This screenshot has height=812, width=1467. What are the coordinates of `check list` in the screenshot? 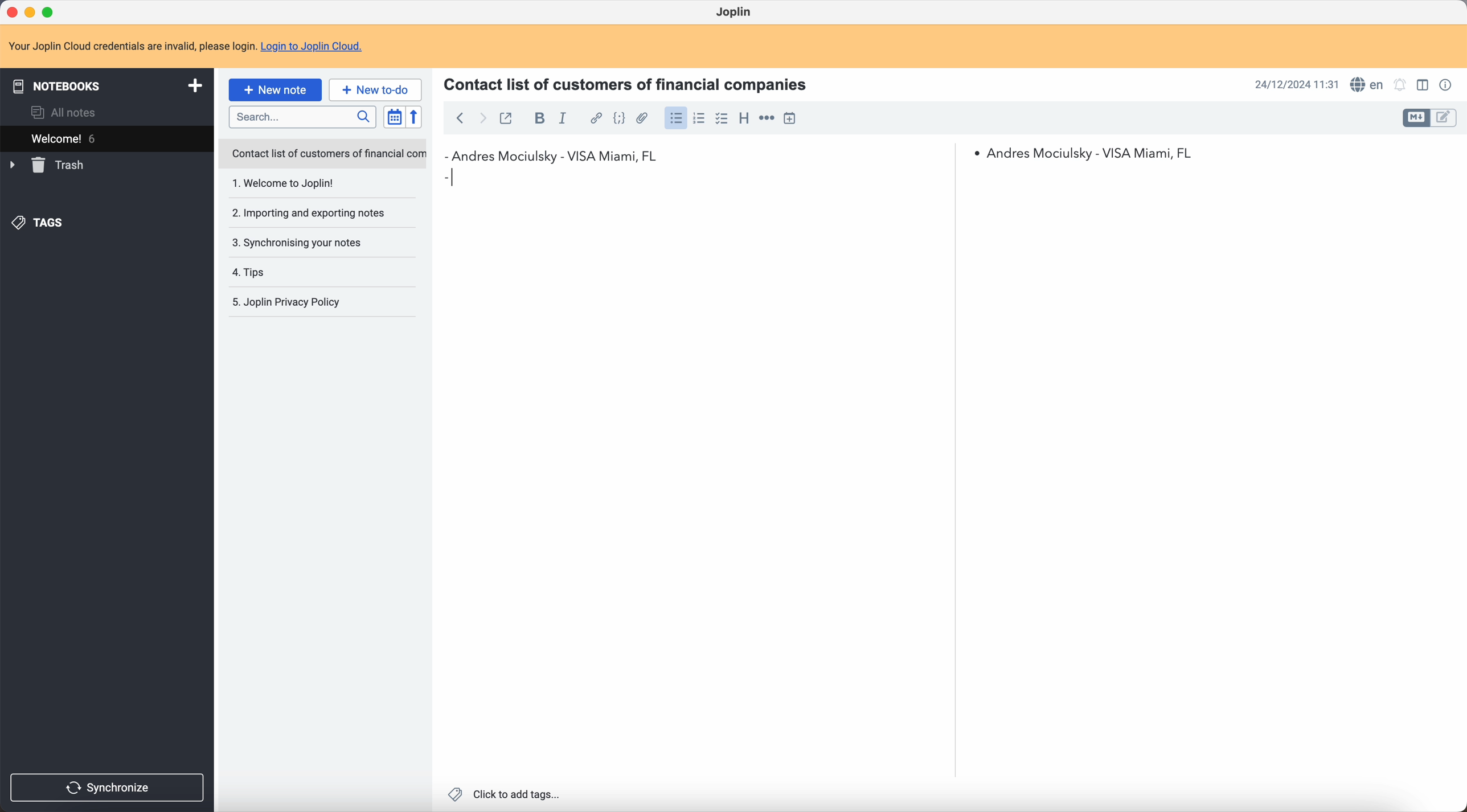 It's located at (722, 119).